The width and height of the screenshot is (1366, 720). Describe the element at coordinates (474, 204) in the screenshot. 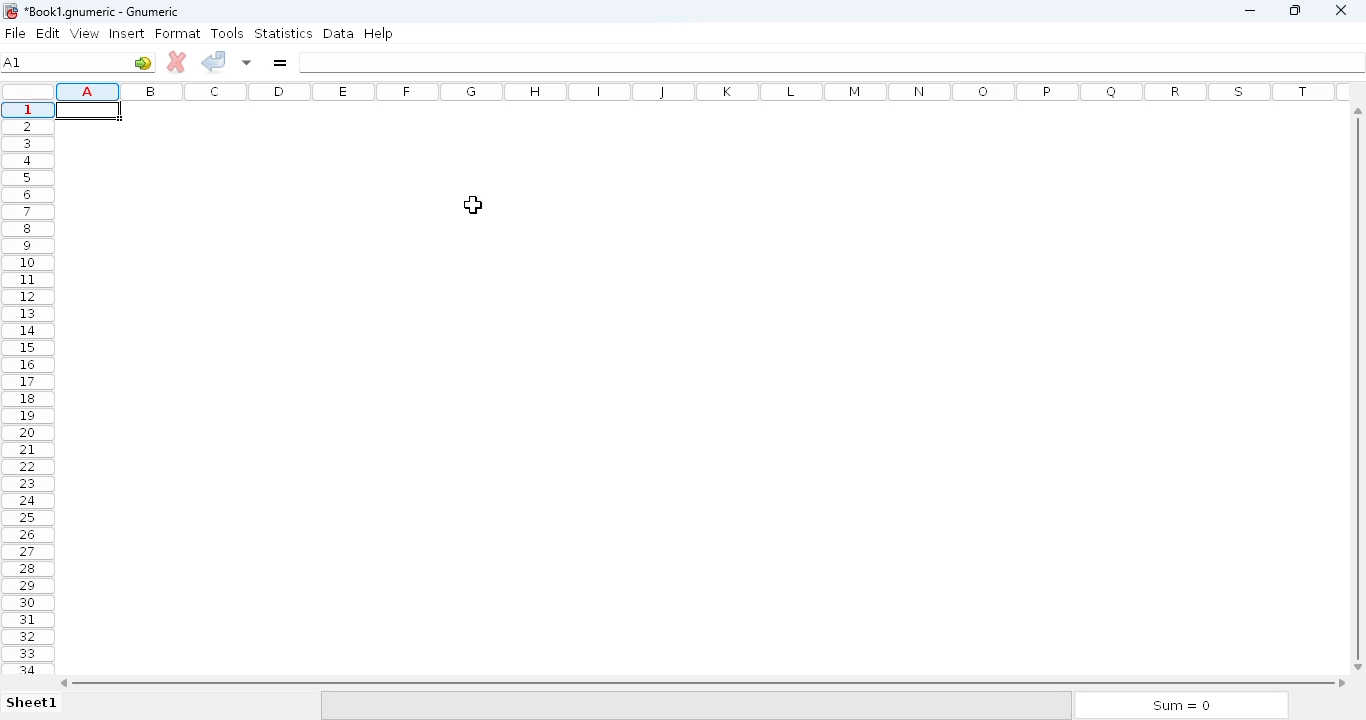

I see `cursor` at that location.